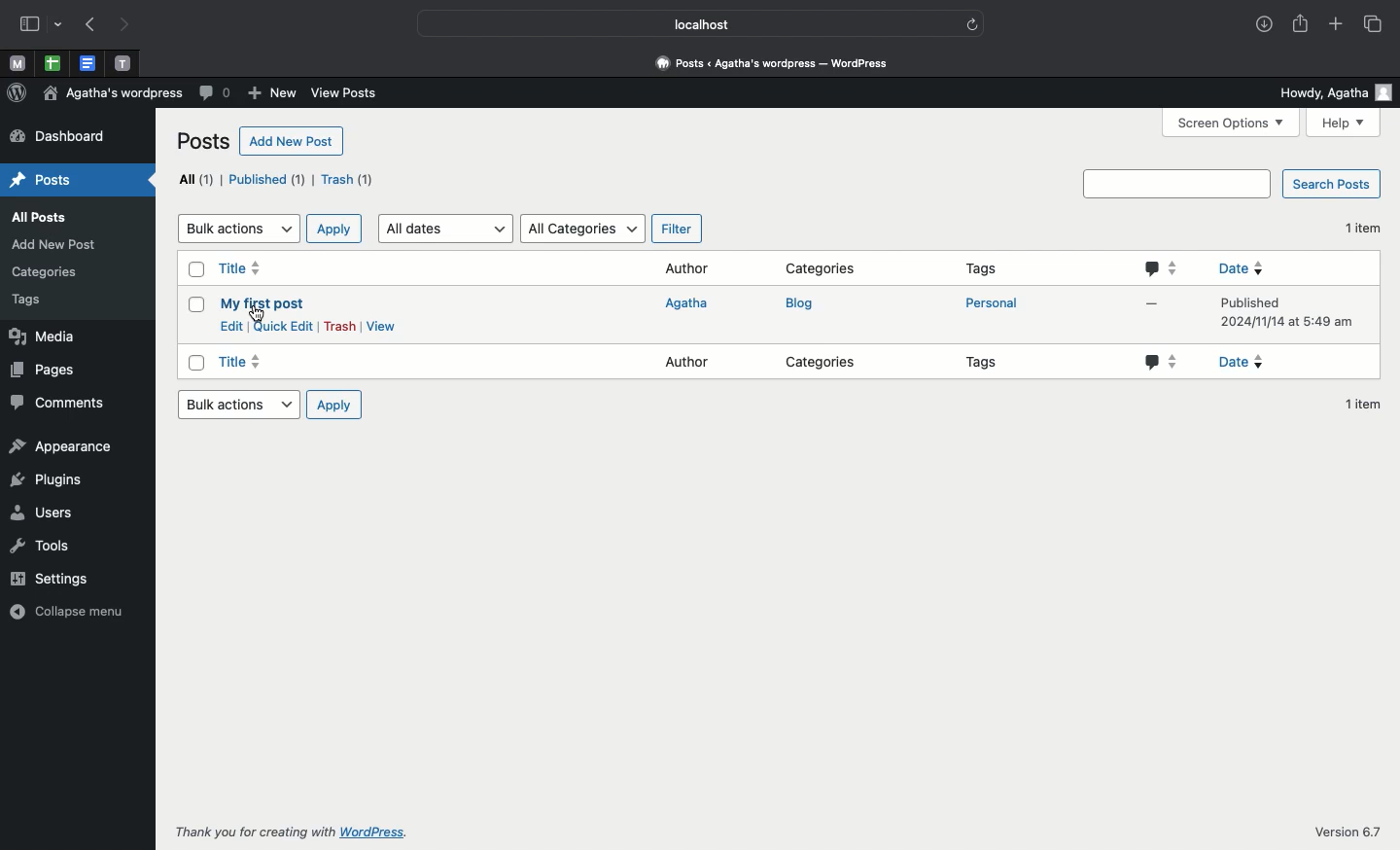  I want to click on Categories, so click(825, 365).